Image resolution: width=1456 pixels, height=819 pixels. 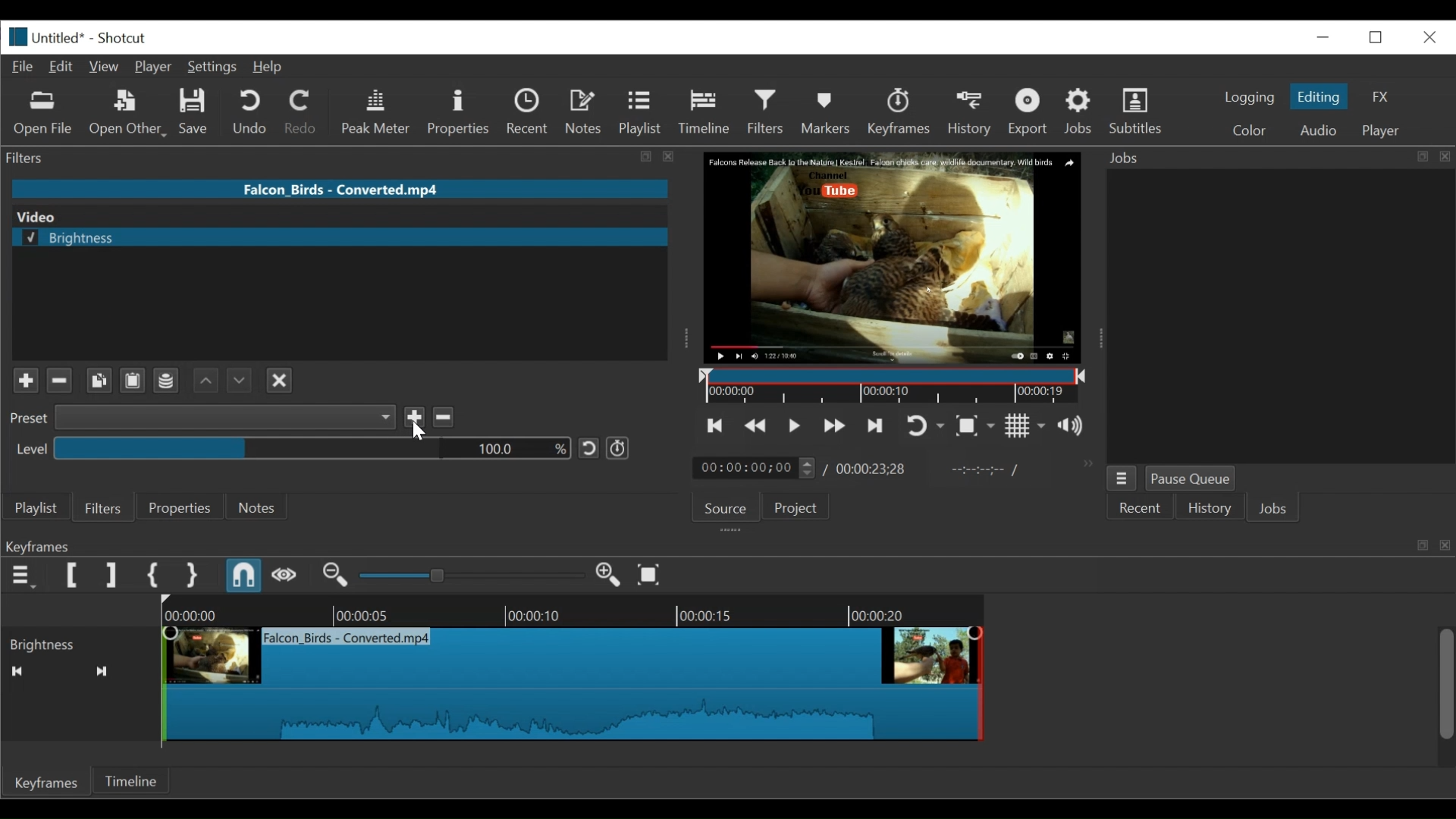 What do you see at coordinates (344, 158) in the screenshot?
I see `Filters Panel` at bounding box center [344, 158].